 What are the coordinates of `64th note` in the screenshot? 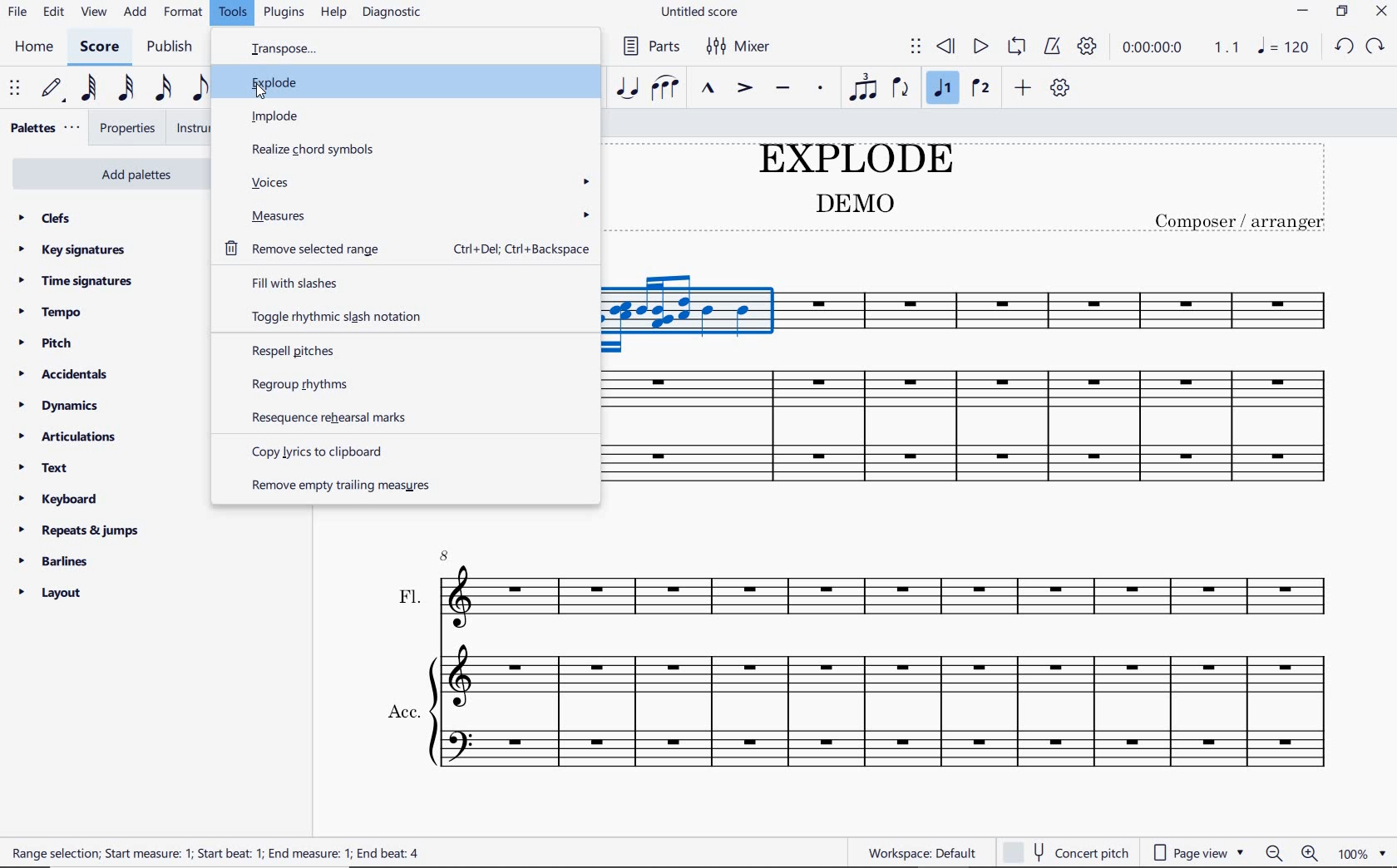 It's located at (89, 89).